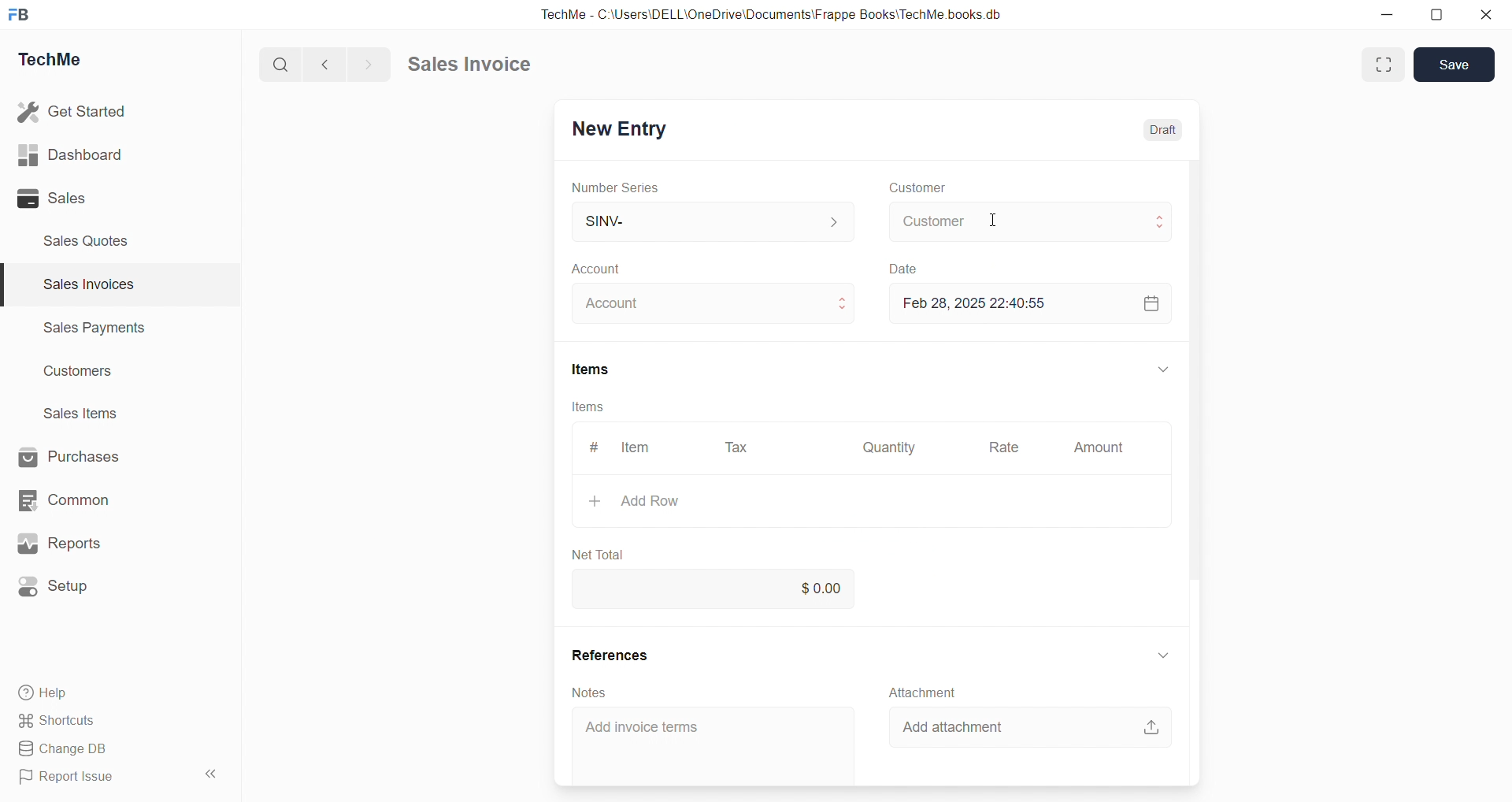  Describe the element at coordinates (604, 269) in the screenshot. I see `Account` at that location.